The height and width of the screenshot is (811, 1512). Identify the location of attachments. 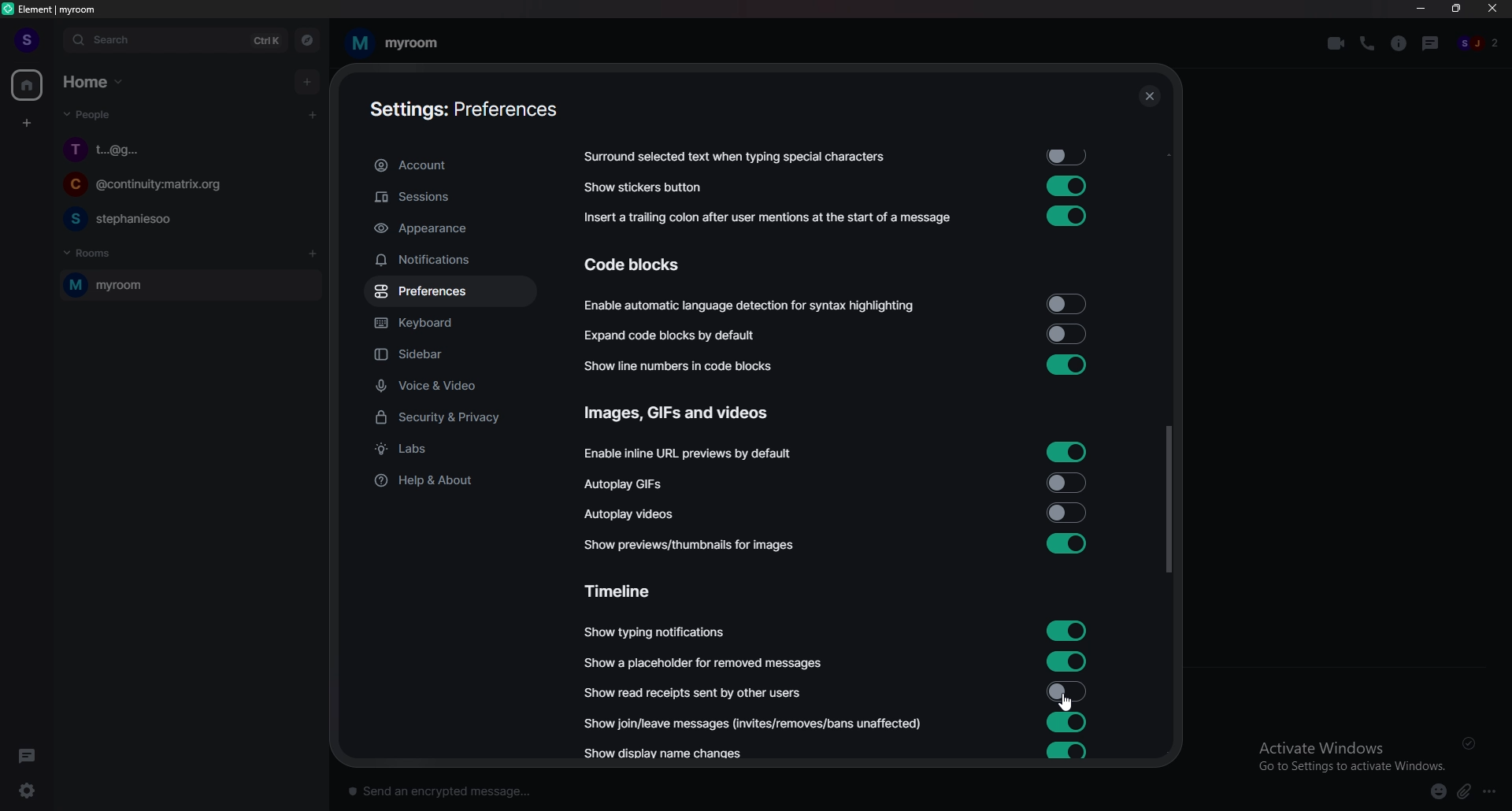
(1467, 792).